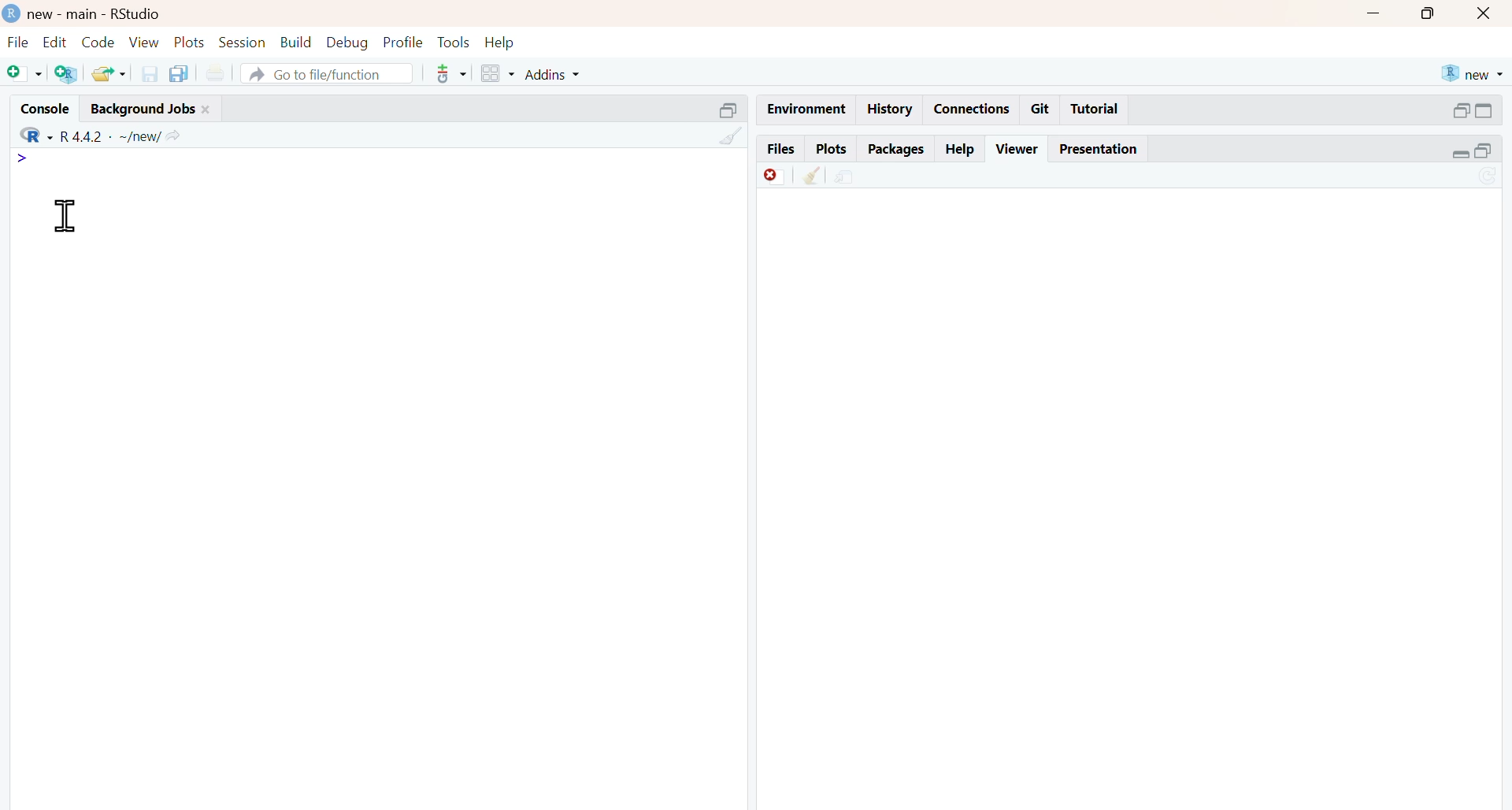  Describe the element at coordinates (17, 42) in the screenshot. I see `file` at that location.